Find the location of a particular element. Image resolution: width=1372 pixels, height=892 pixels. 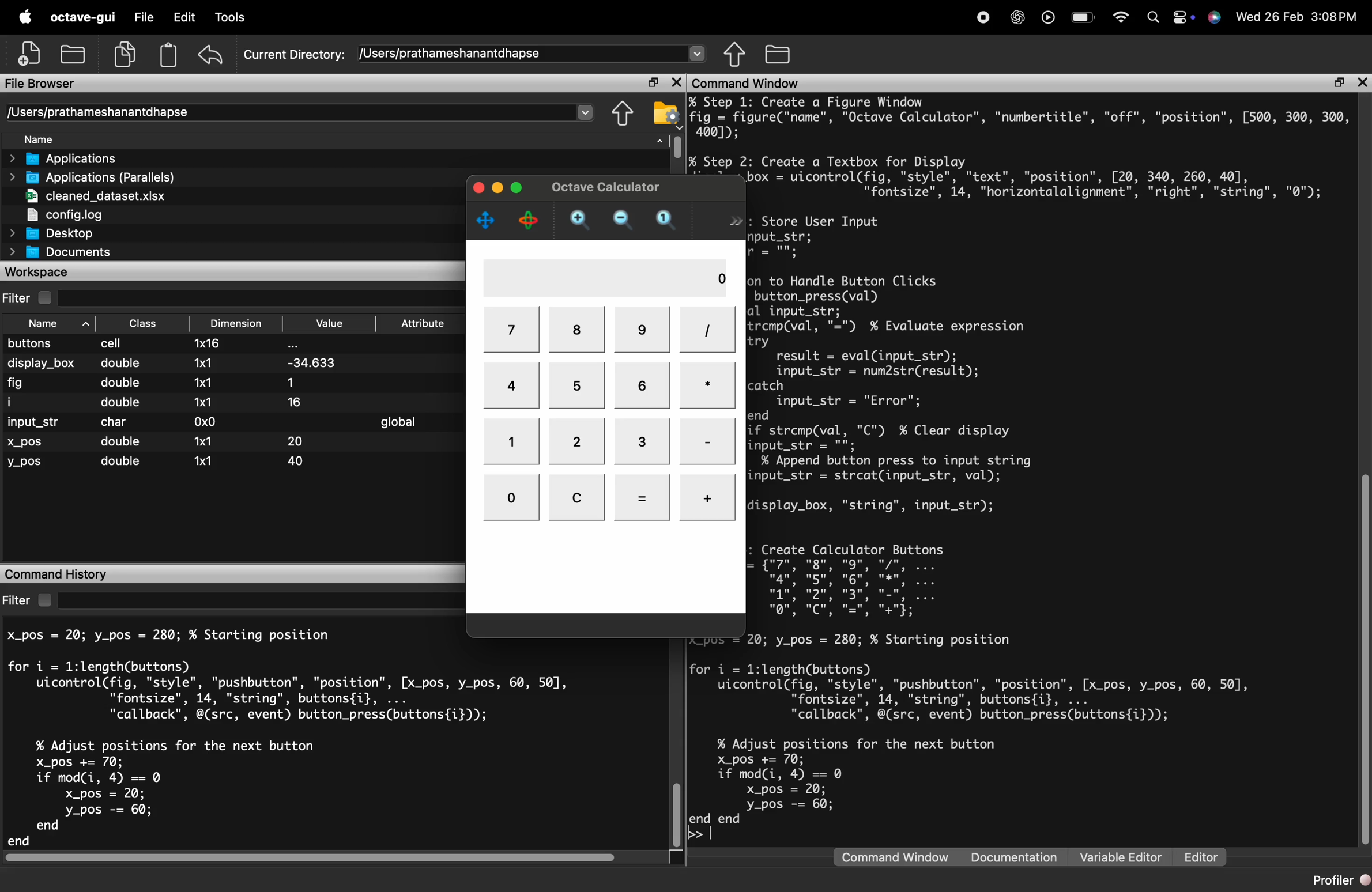

Editor is located at coordinates (1204, 856).